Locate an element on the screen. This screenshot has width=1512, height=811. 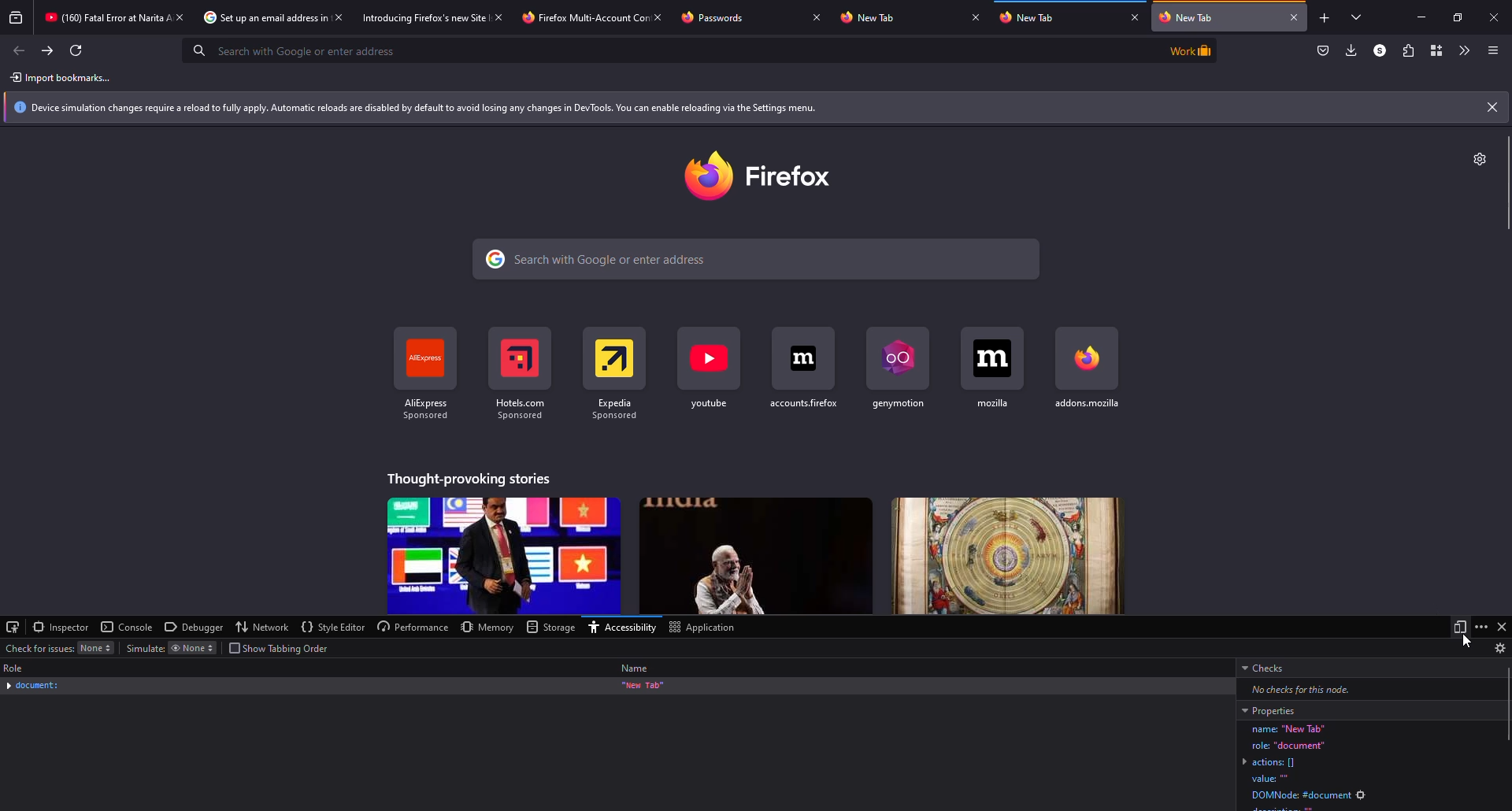
search with Google is located at coordinates (756, 258).